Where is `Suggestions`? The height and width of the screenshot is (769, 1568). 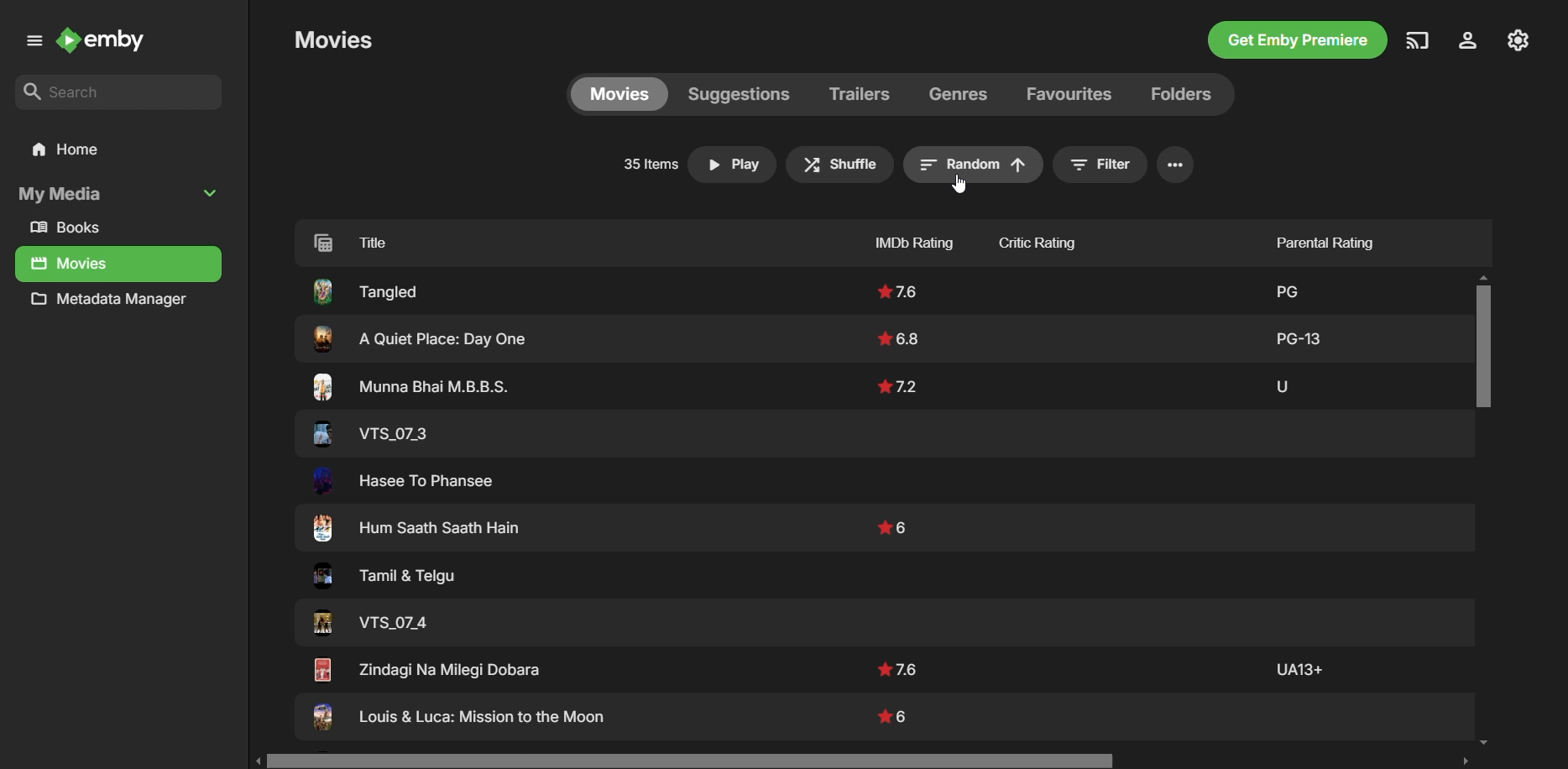
Suggestions is located at coordinates (738, 93).